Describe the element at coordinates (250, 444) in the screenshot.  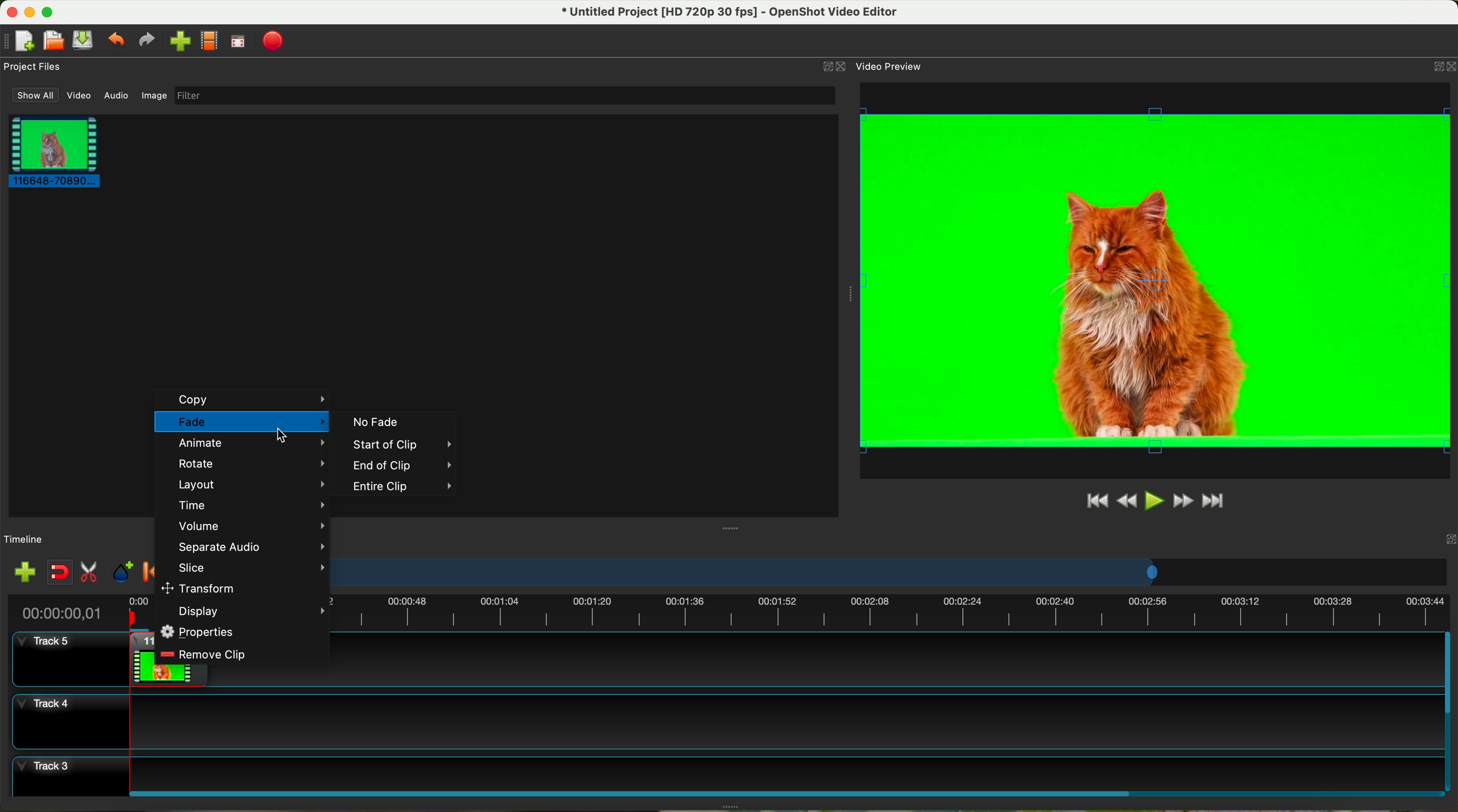
I see `animate` at that location.